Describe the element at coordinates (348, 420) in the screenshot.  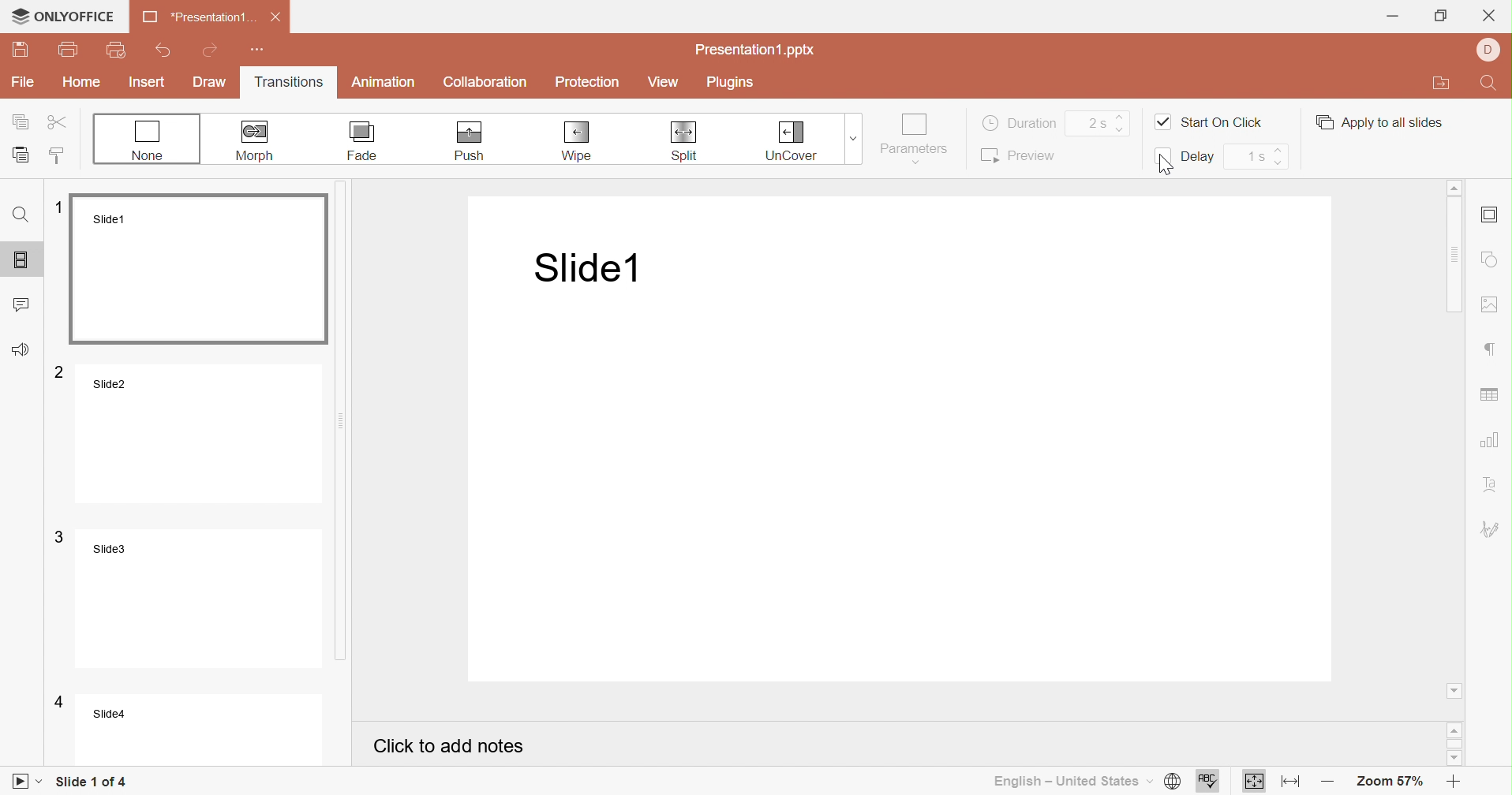
I see `Scroll bar` at that location.